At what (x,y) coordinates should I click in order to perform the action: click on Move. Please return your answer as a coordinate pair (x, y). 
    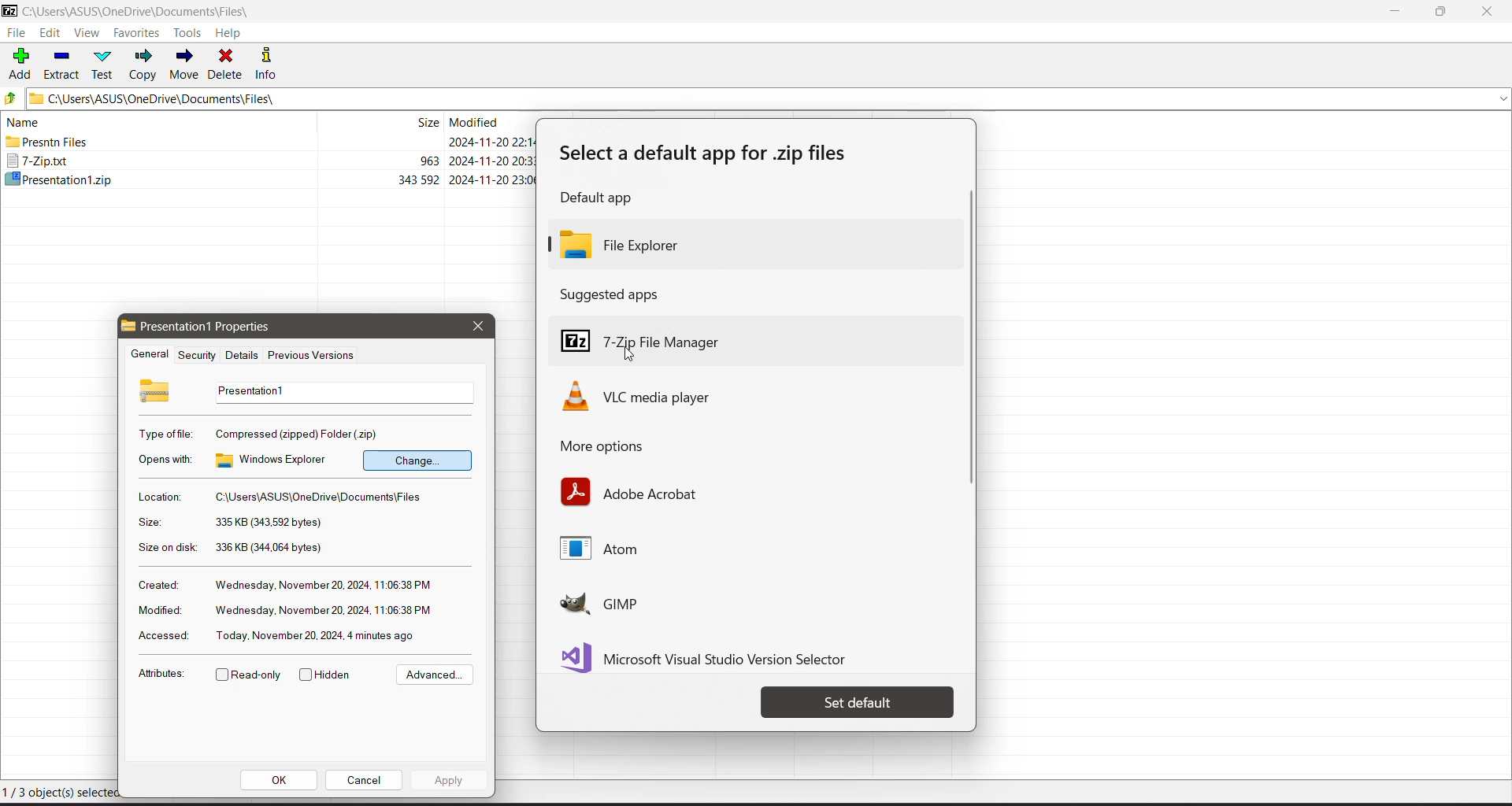
    Looking at the image, I should click on (184, 65).